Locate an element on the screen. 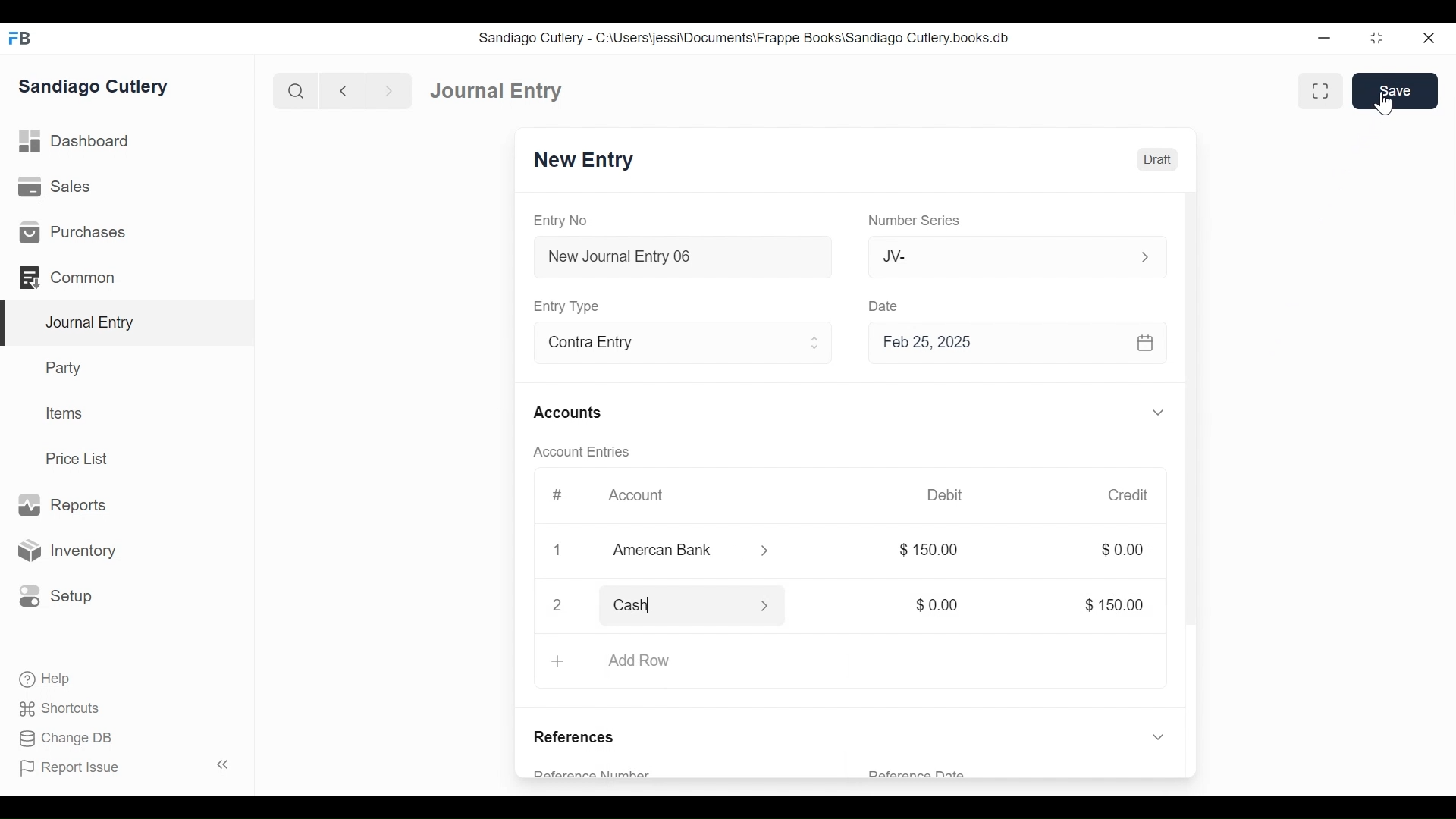 The width and height of the screenshot is (1456, 819). New Journal Entry 06 is located at coordinates (680, 259).